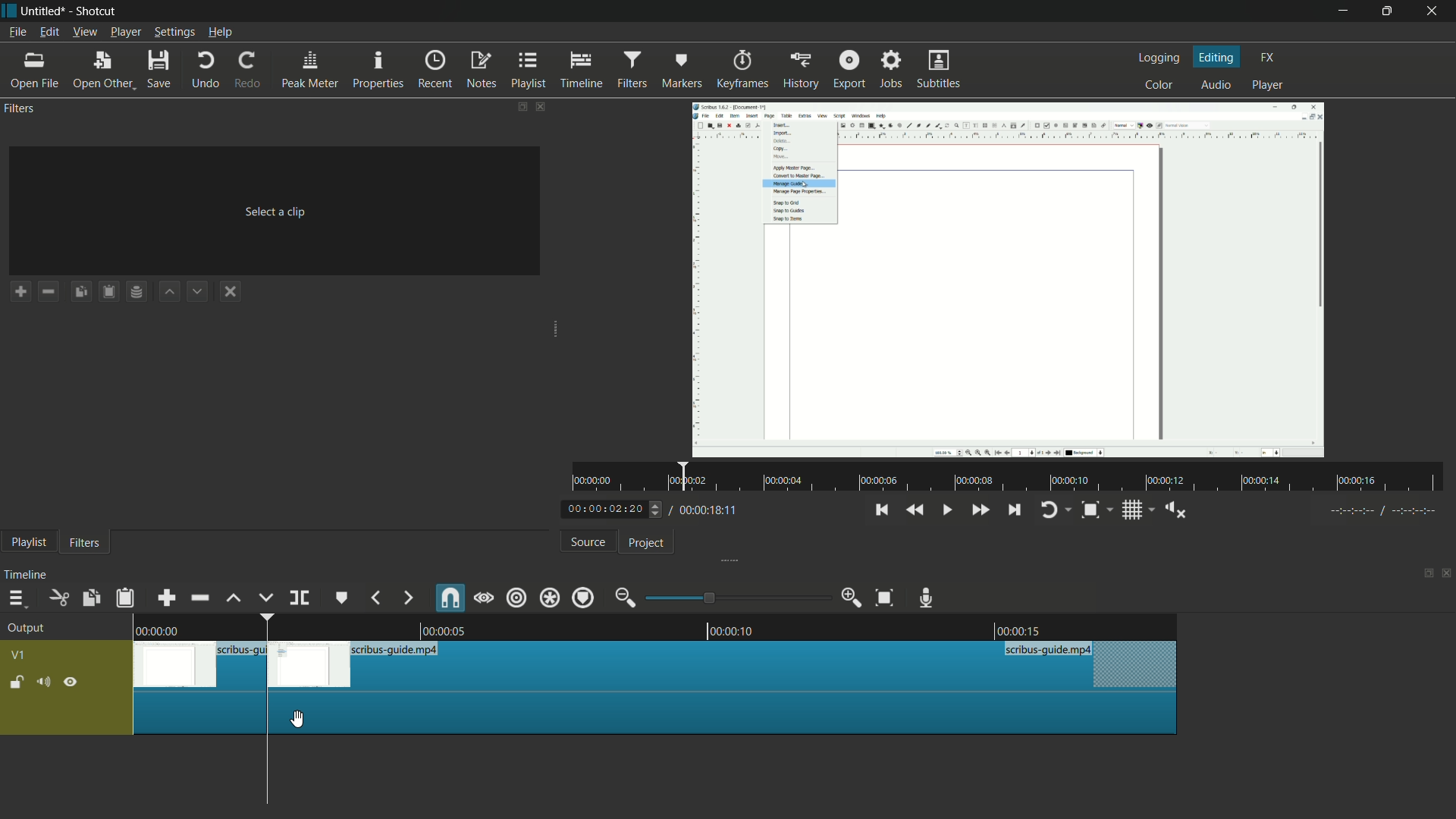  I want to click on project, so click(645, 543).